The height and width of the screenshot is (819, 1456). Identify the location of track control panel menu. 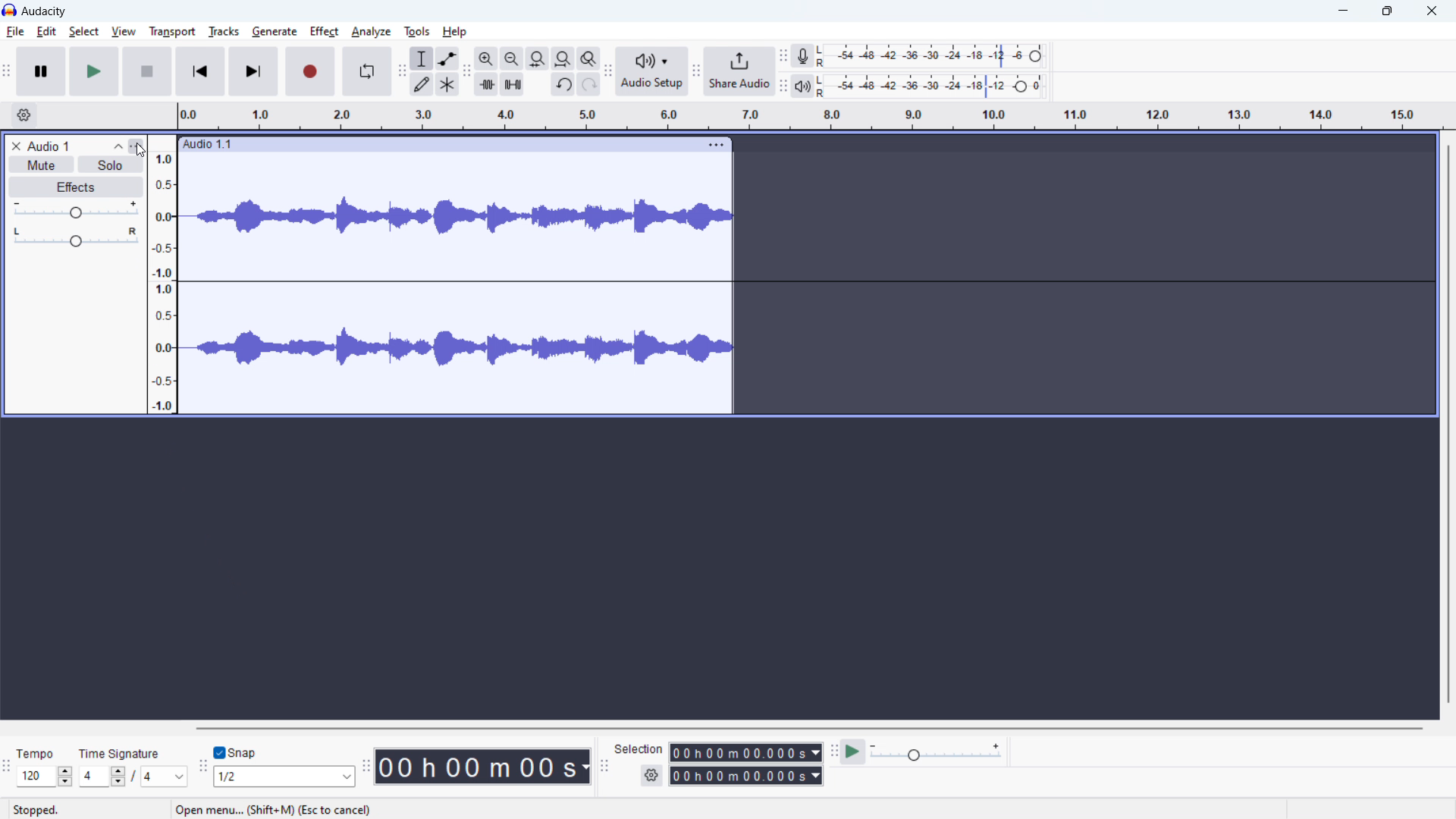
(135, 146).